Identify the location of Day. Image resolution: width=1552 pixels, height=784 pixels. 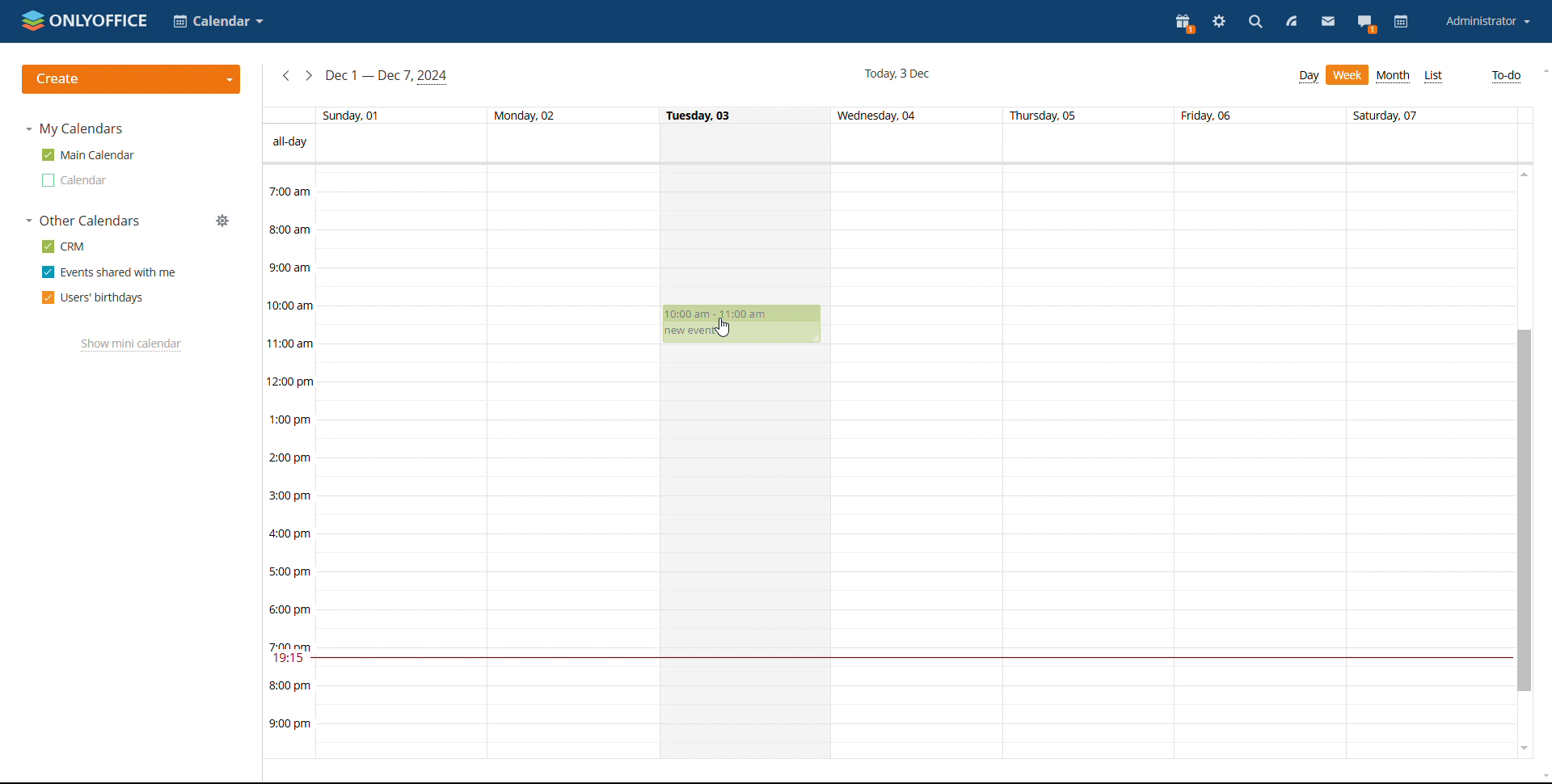
(1309, 77).